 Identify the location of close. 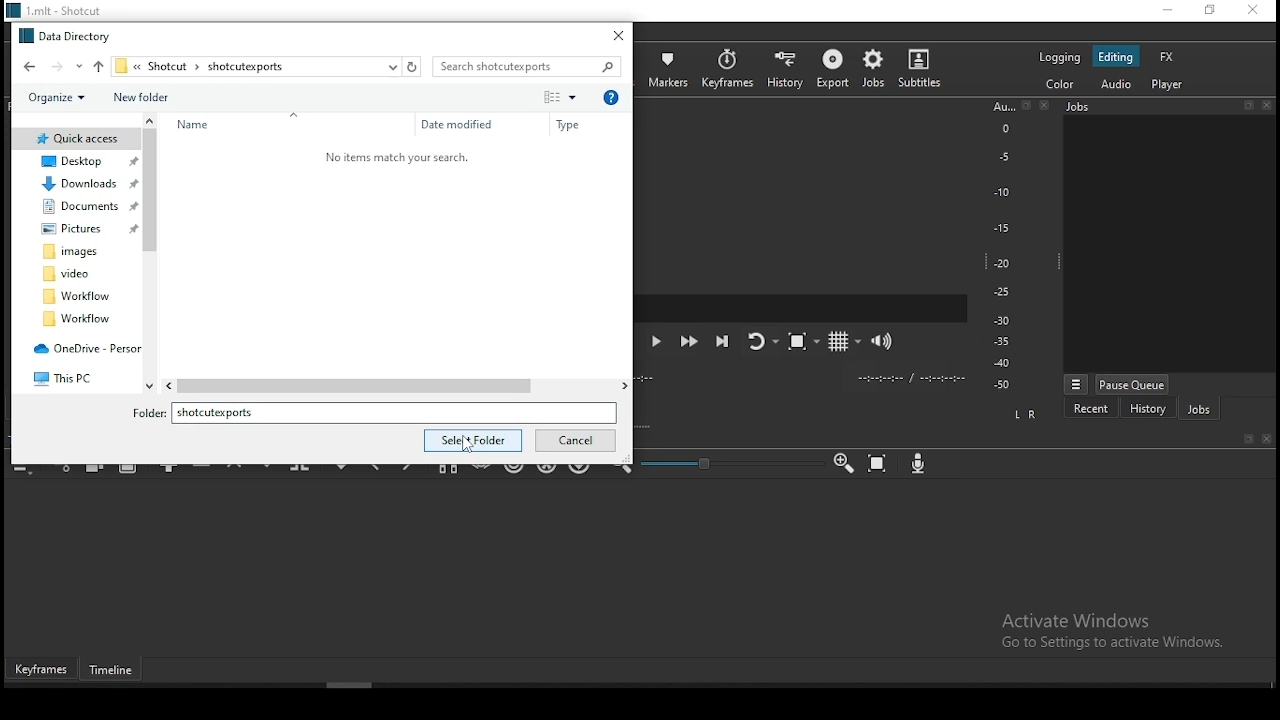
(1268, 440).